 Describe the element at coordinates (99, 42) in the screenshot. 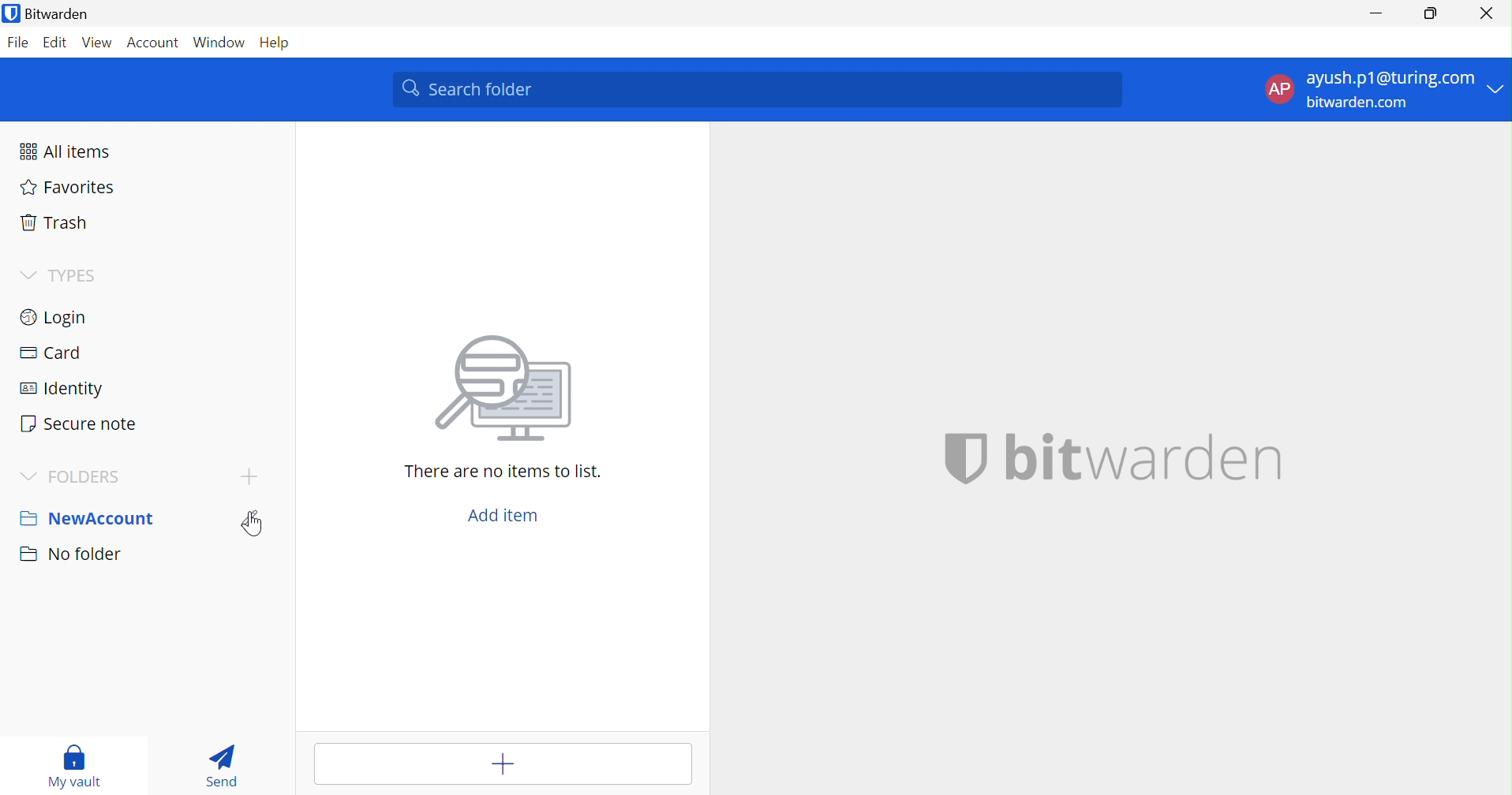

I see `View` at that location.